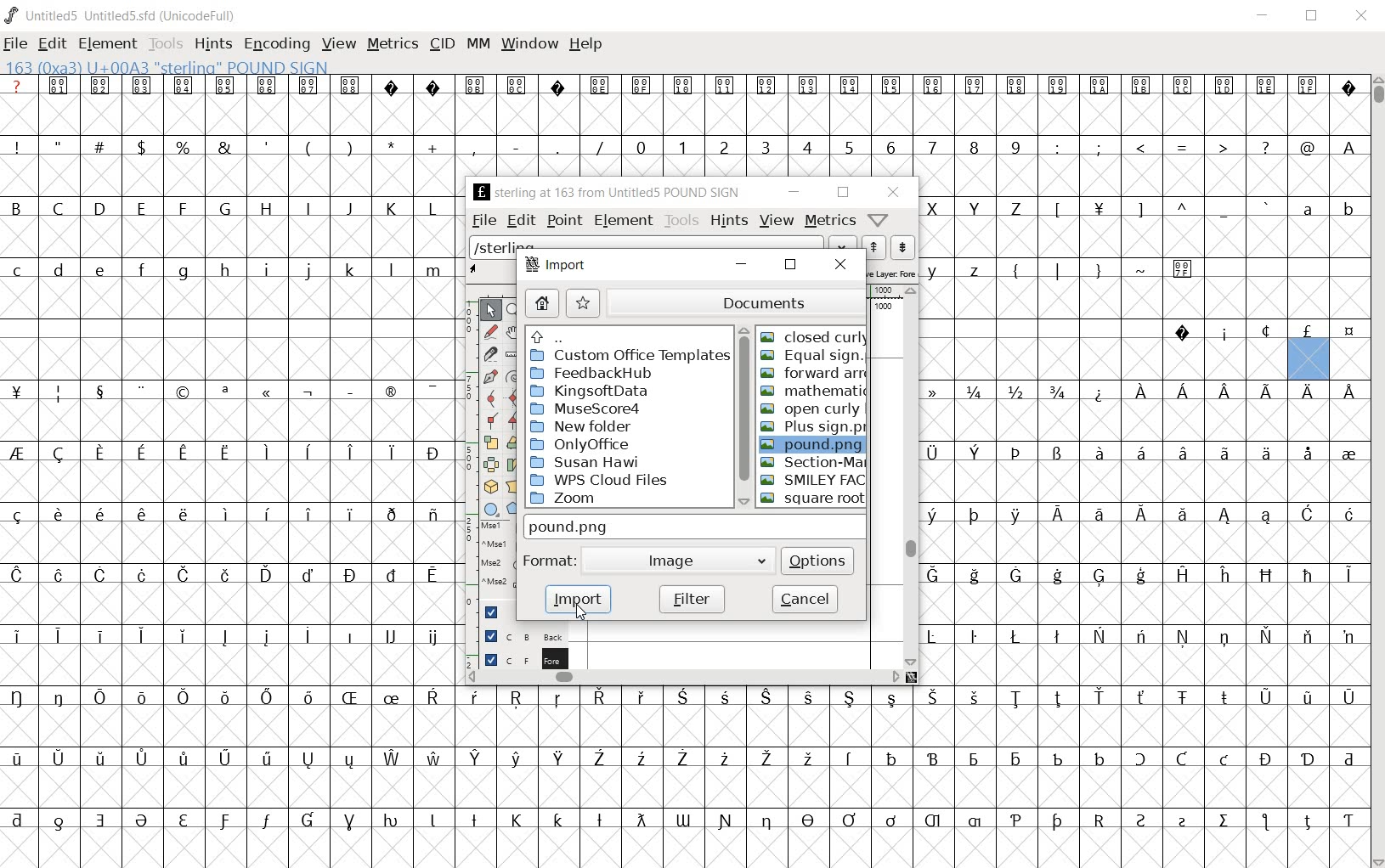  What do you see at coordinates (1223, 698) in the screenshot?
I see `Symbol` at bounding box center [1223, 698].